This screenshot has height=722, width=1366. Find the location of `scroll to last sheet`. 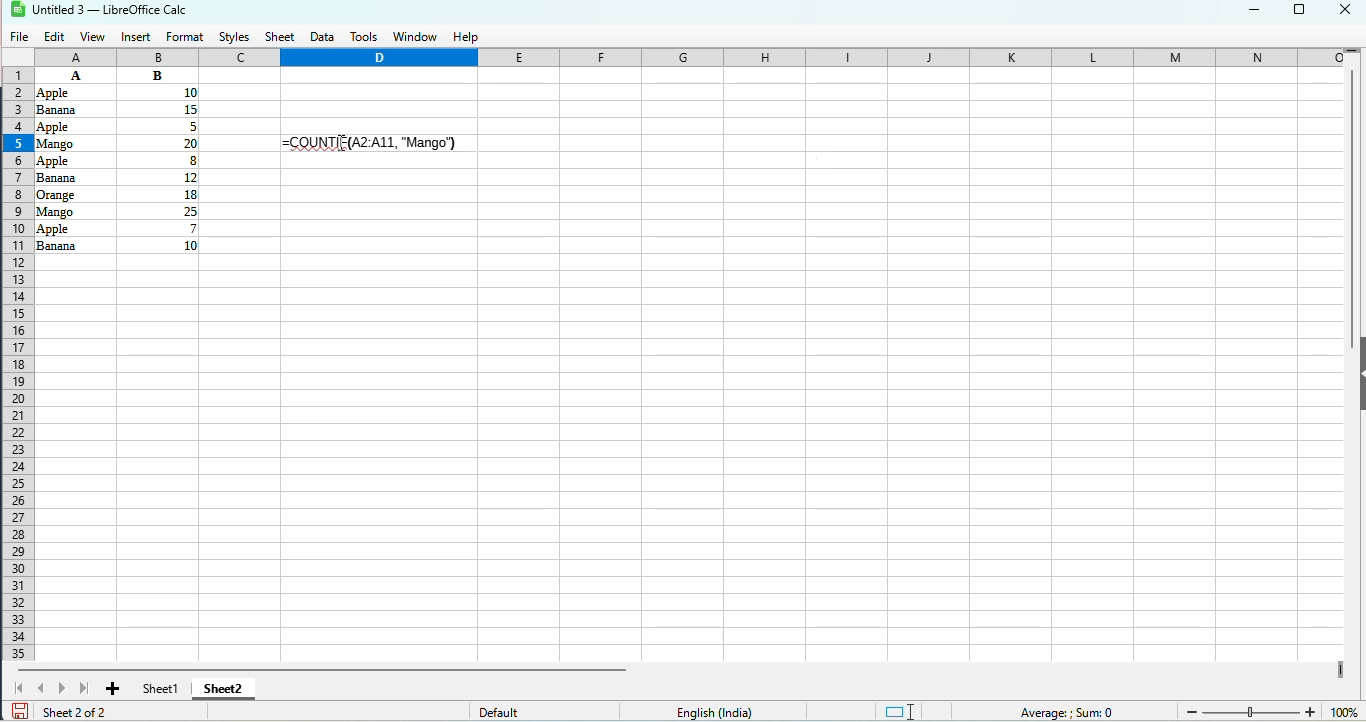

scroll to last sheet is located at coordinates (85, 688).